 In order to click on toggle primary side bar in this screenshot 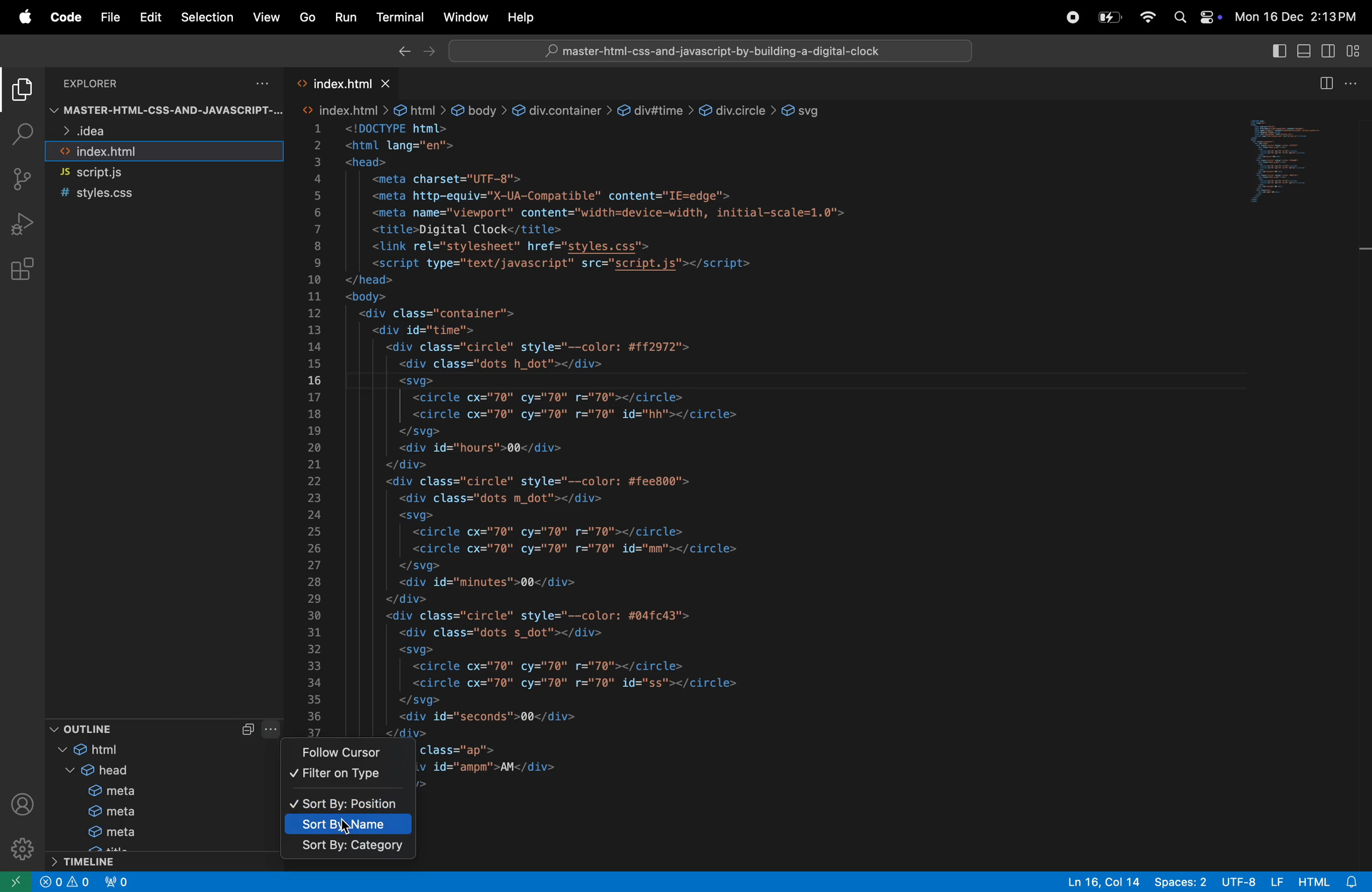, I will do `click(1278, 50)`.